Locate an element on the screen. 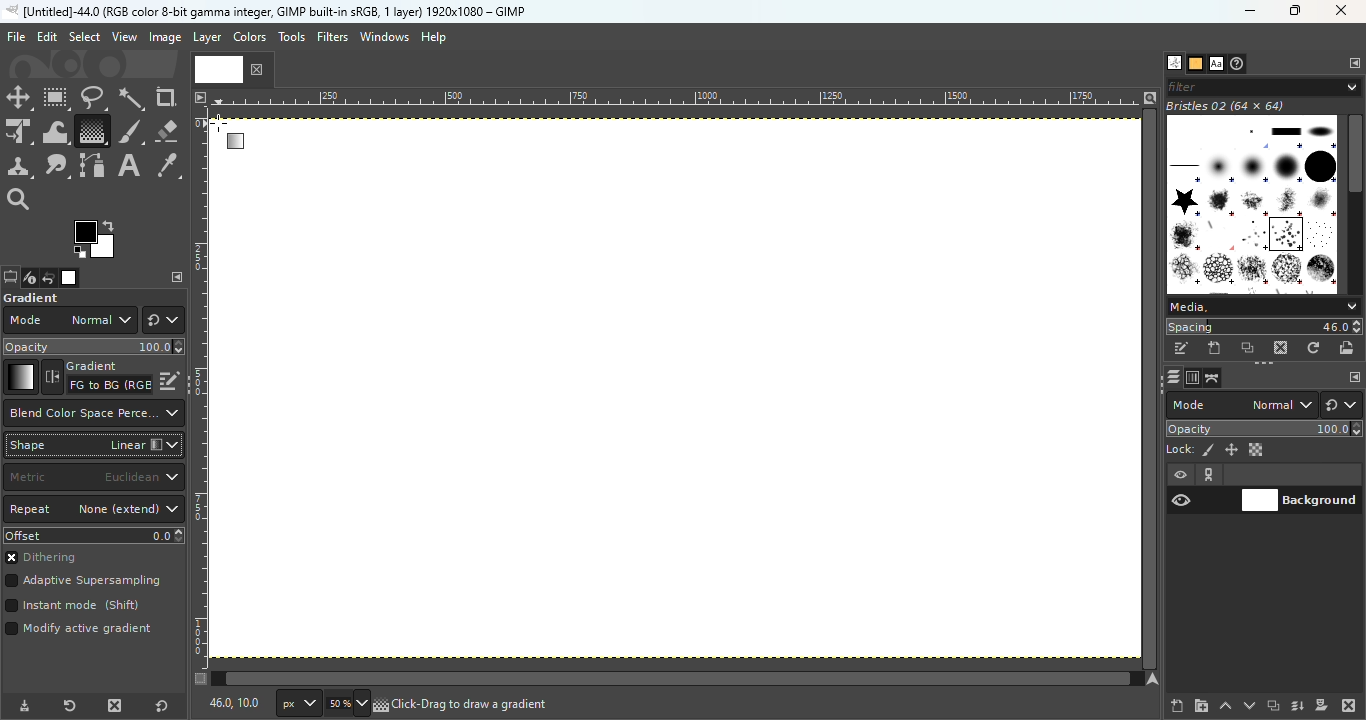 The height and width of the screenshot is (720, 1366). Refresh brushes is located at coordinates (1314, 348).